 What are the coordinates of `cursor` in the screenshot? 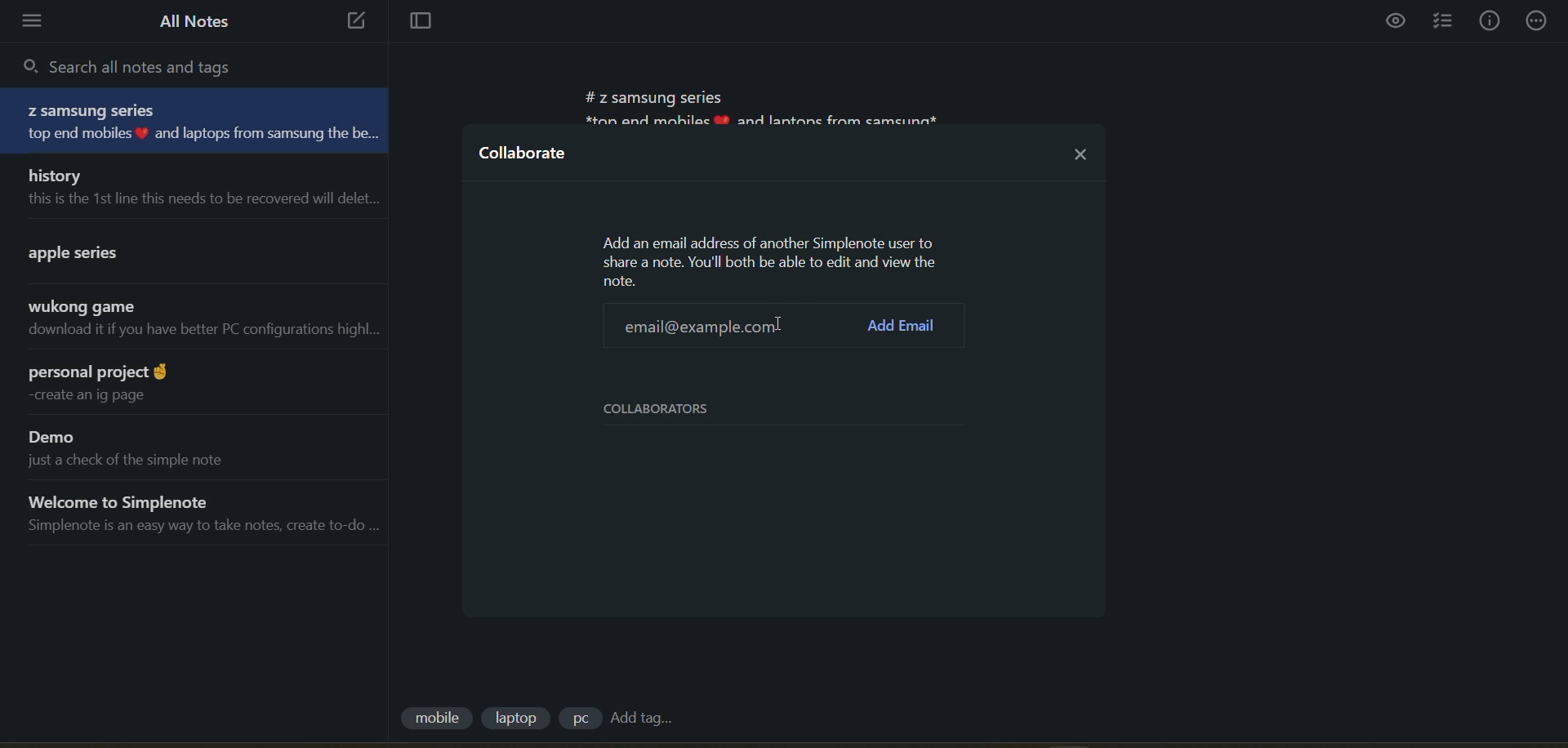 It's located at (692, 325).